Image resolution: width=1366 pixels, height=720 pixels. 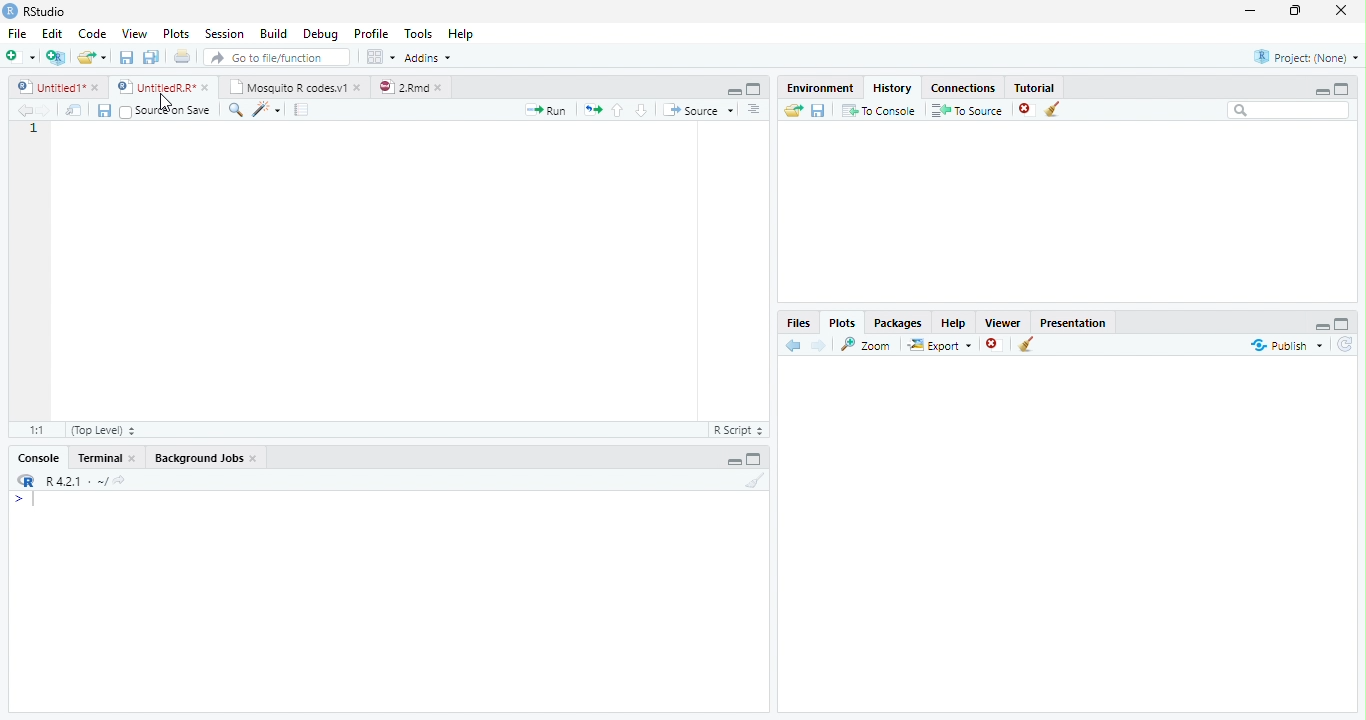 I want to click on Files, so click(x=798, y=321).